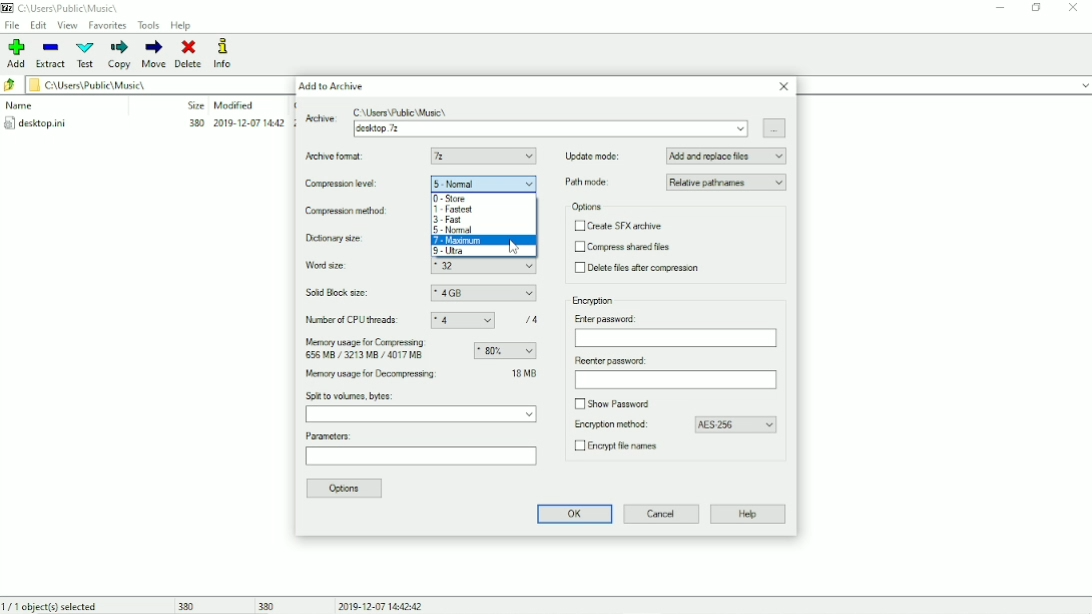 This screenshot has width=1092, height=614. I want to click on Parameters, so click(330, 436).